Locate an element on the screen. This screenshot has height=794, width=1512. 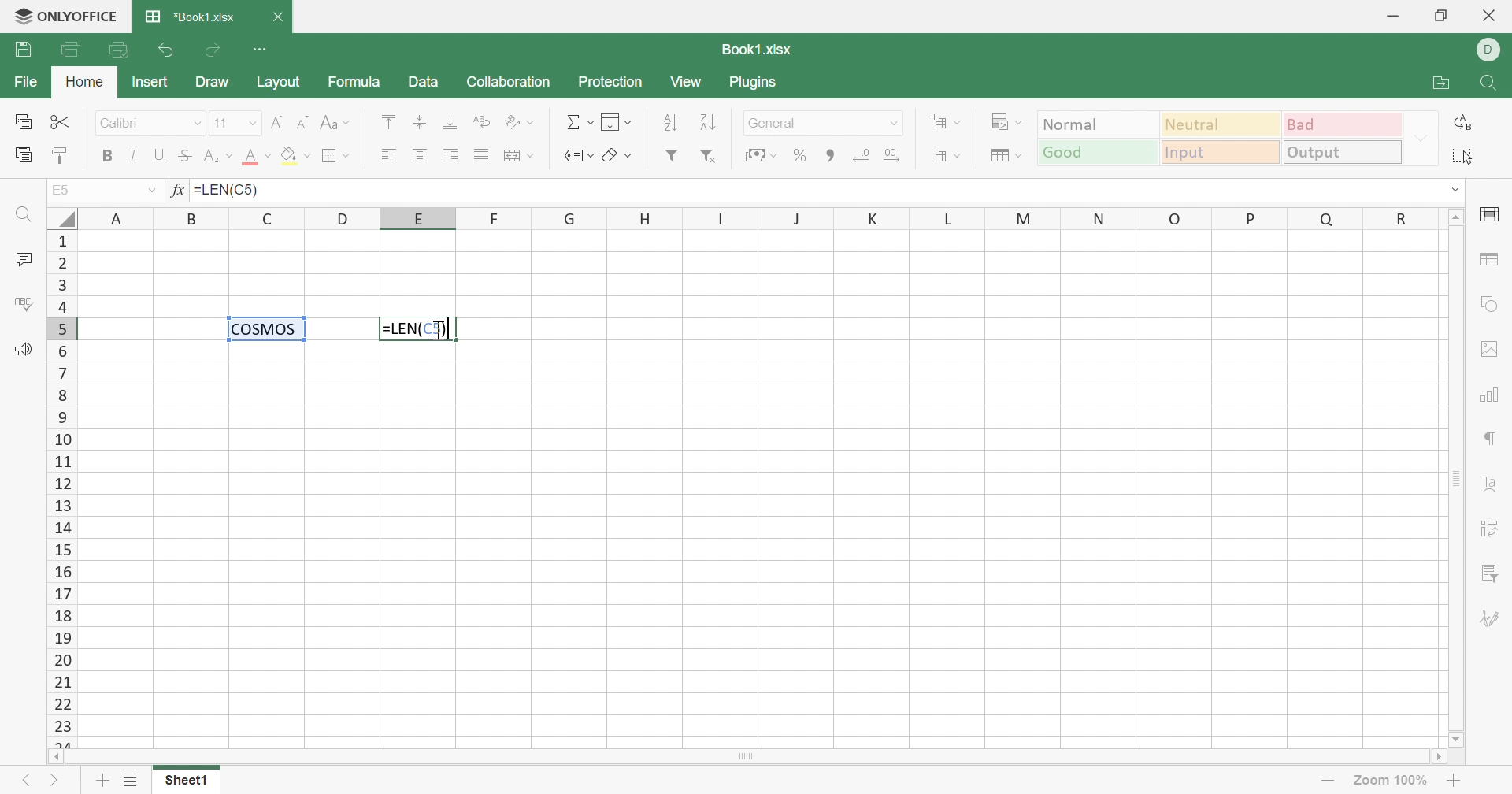
Comments is located at coordinates (22, 258).